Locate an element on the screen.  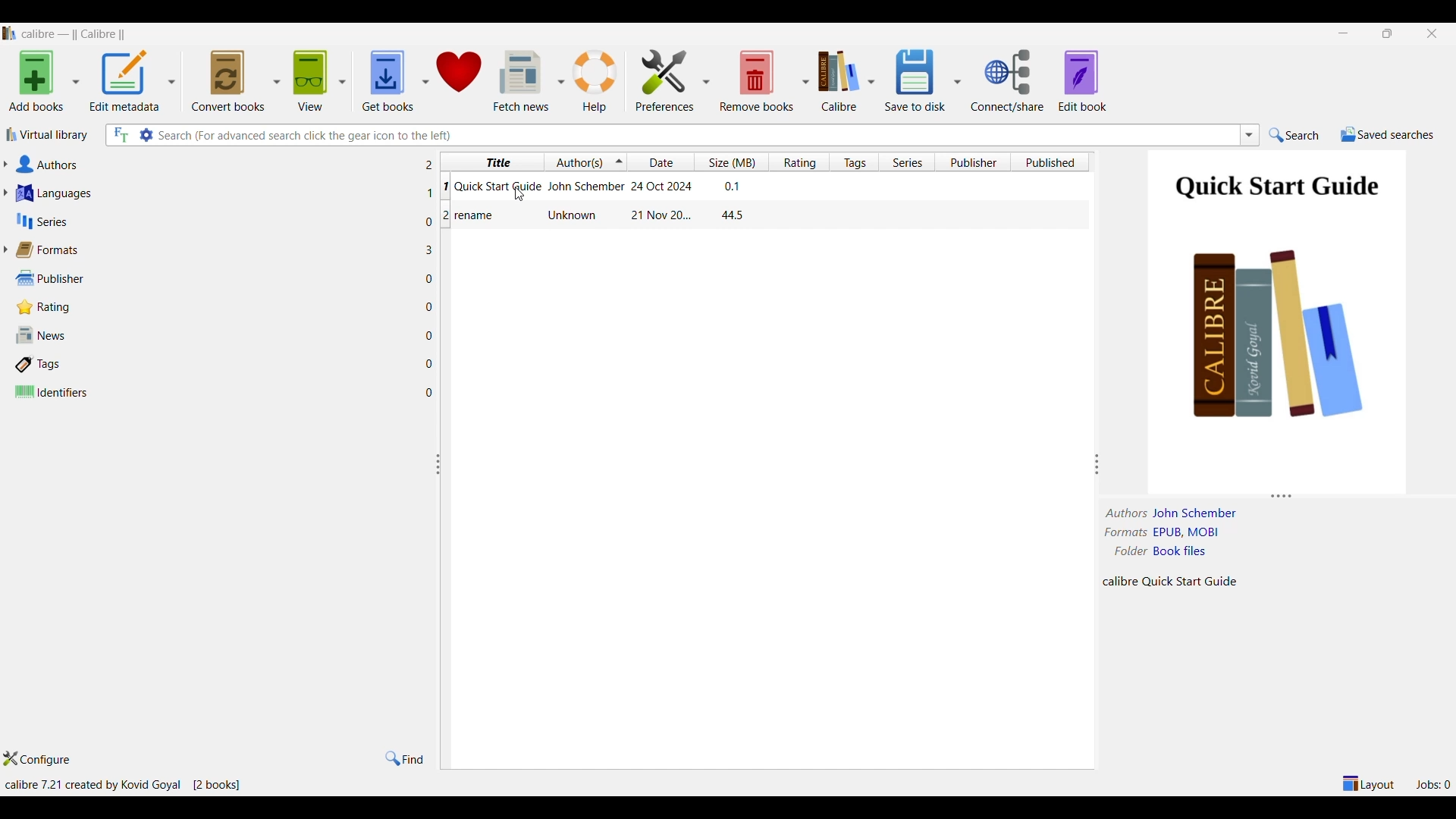
Convert books is located at coordinates (228, 81).